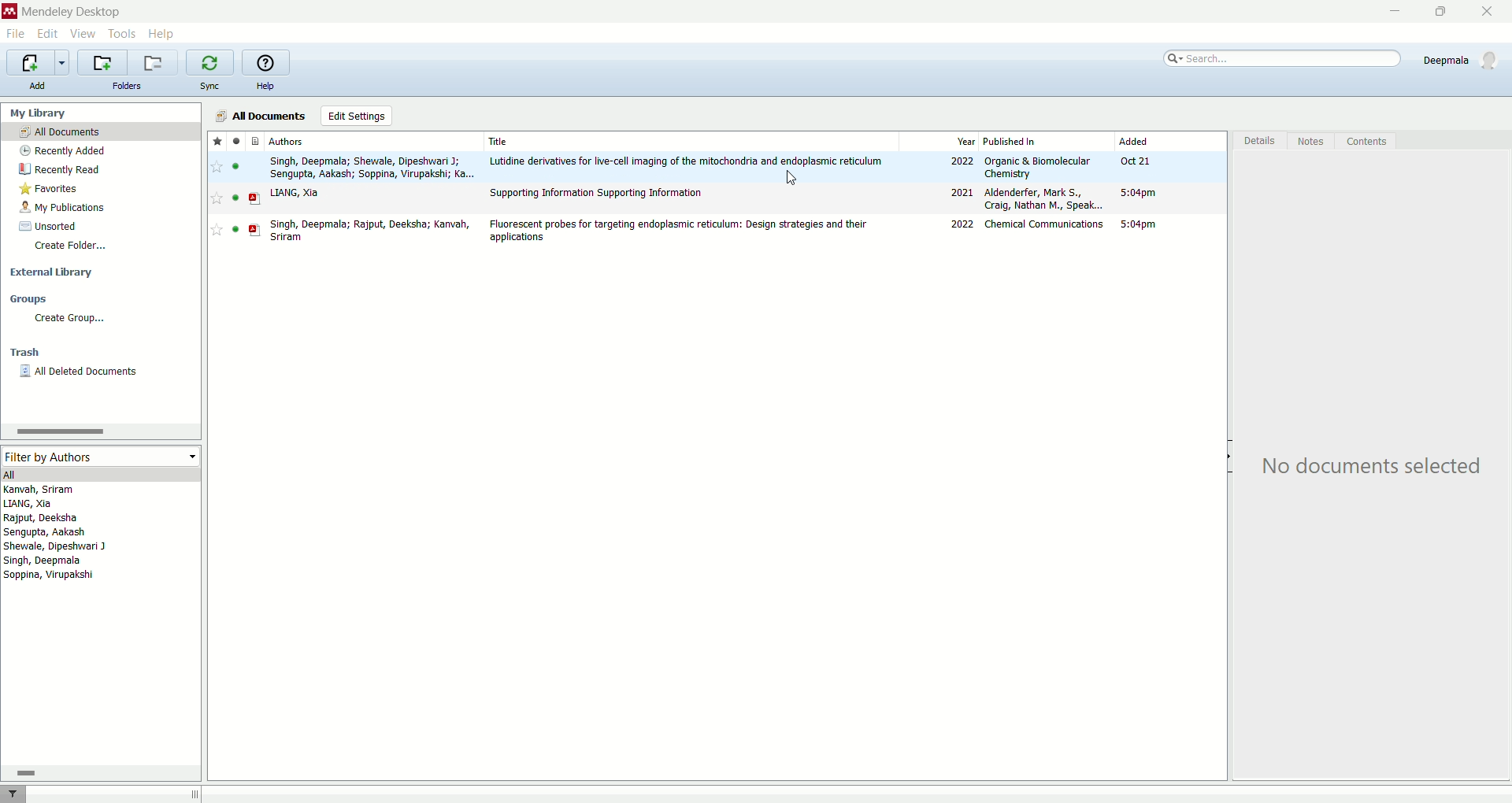 This screenshot has height=803, width=1512. I want to click on singh, deepmala; rajput, deeksha; kanvah, sriram, so click(371, 231).